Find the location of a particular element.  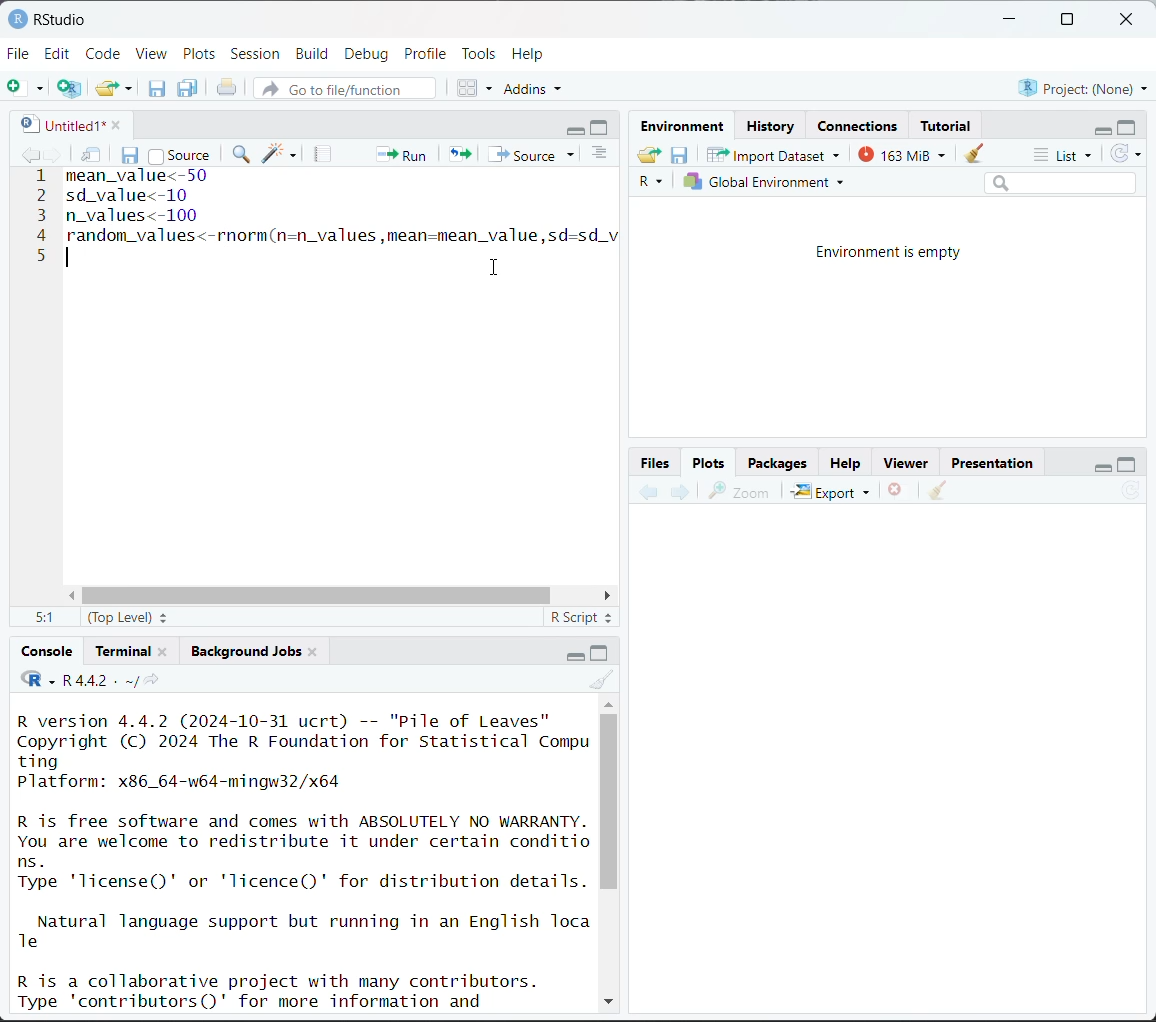

show document outline is located at coordinates (603, 155).